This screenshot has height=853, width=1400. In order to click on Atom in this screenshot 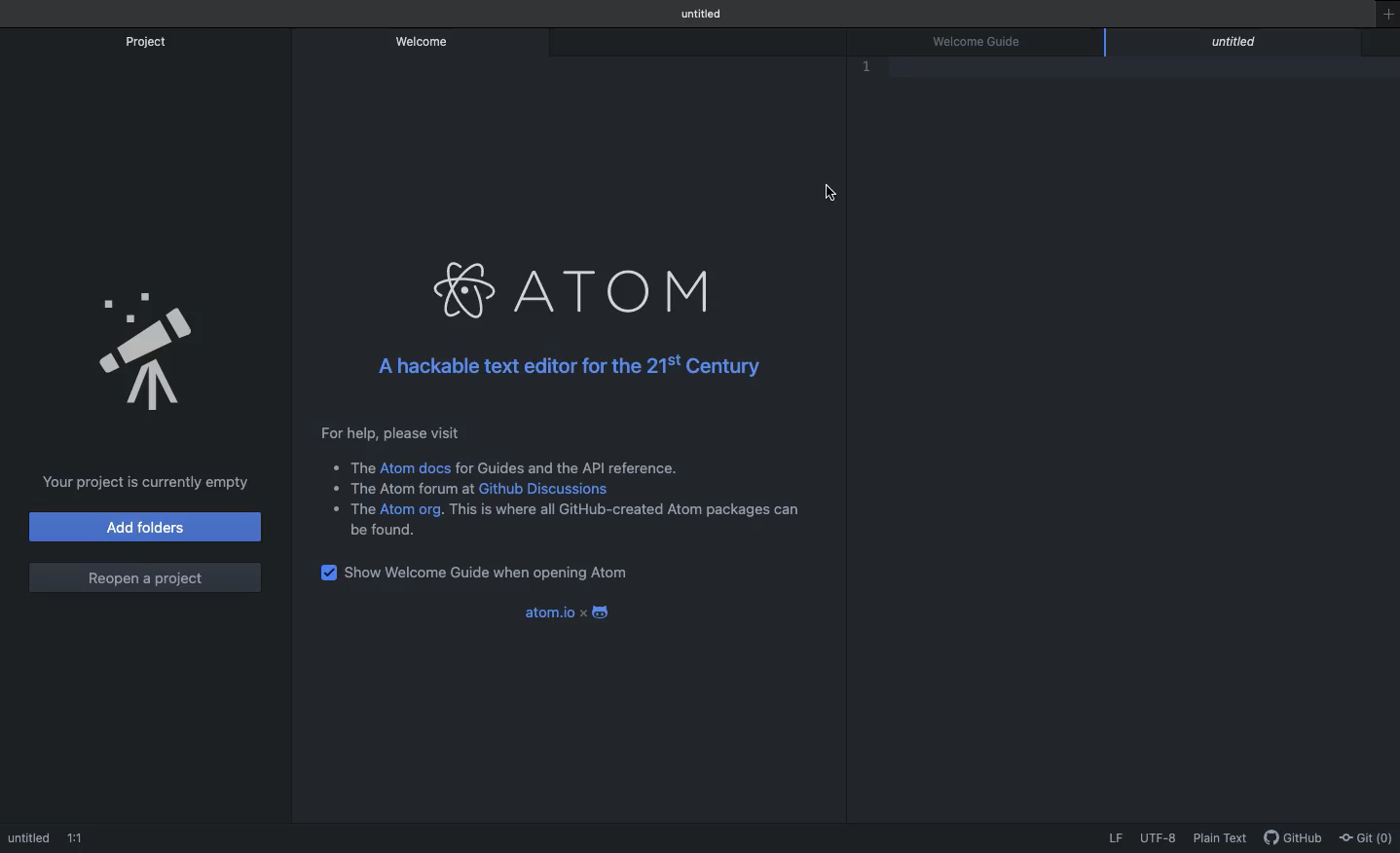, I will do `click(570, 290)`.